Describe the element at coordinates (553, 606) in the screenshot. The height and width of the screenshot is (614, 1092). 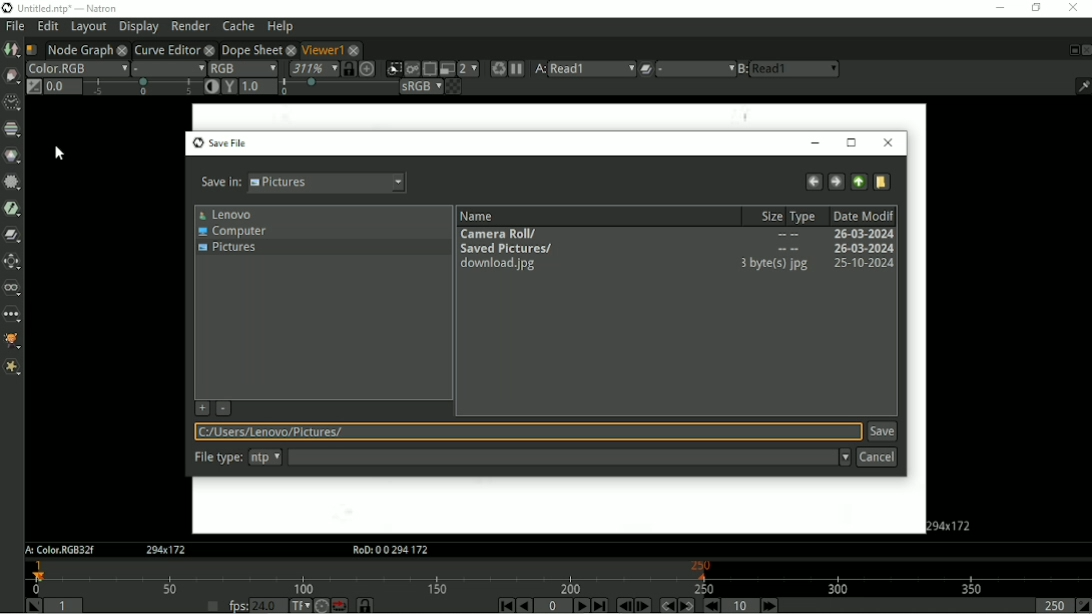
I see `Current frame` at that location.